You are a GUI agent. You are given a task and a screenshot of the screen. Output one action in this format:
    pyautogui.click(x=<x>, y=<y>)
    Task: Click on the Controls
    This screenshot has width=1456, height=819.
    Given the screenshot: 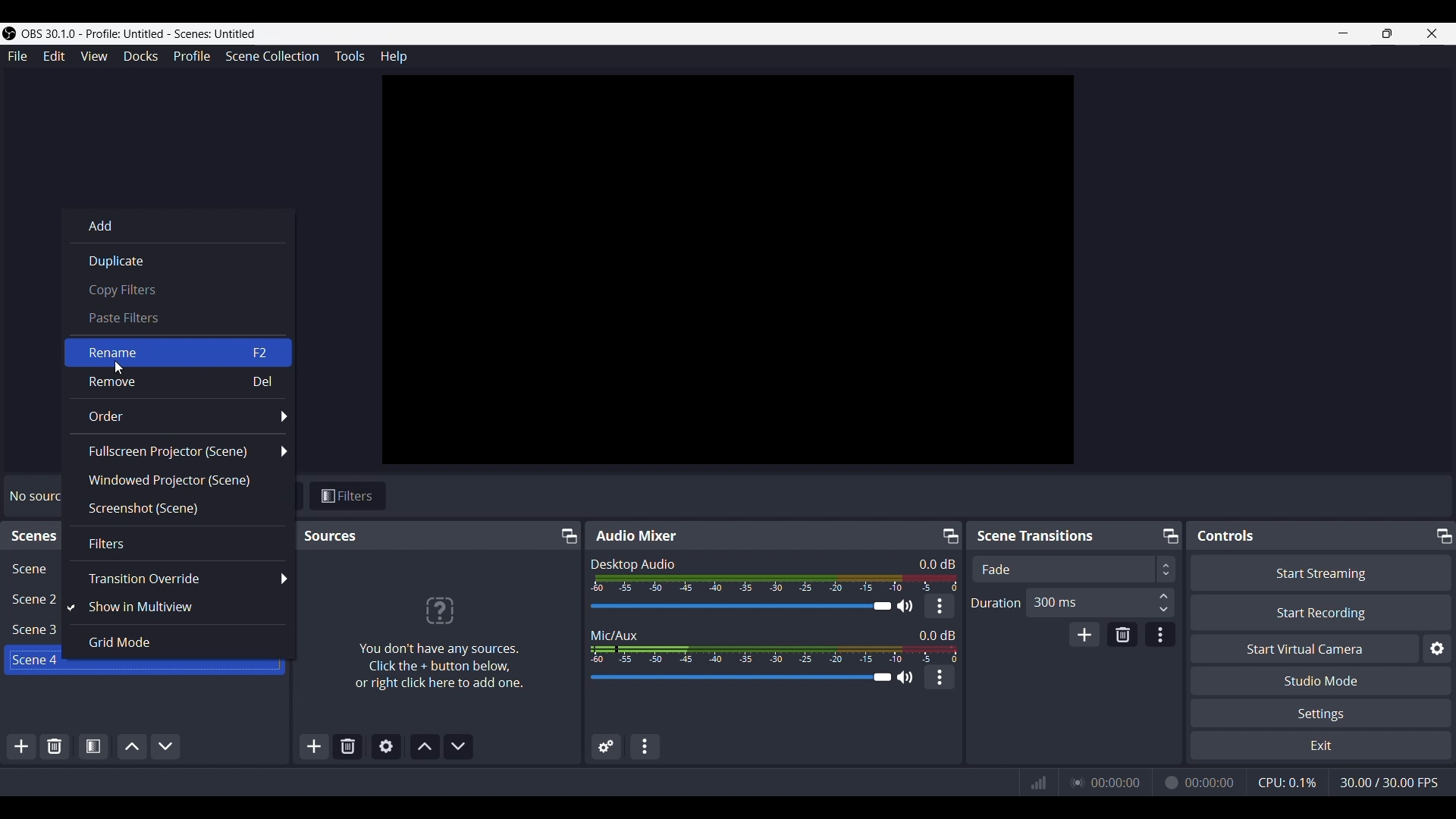 What is the action you would take?
    pyautogui.click(x=1229, y=535)
    